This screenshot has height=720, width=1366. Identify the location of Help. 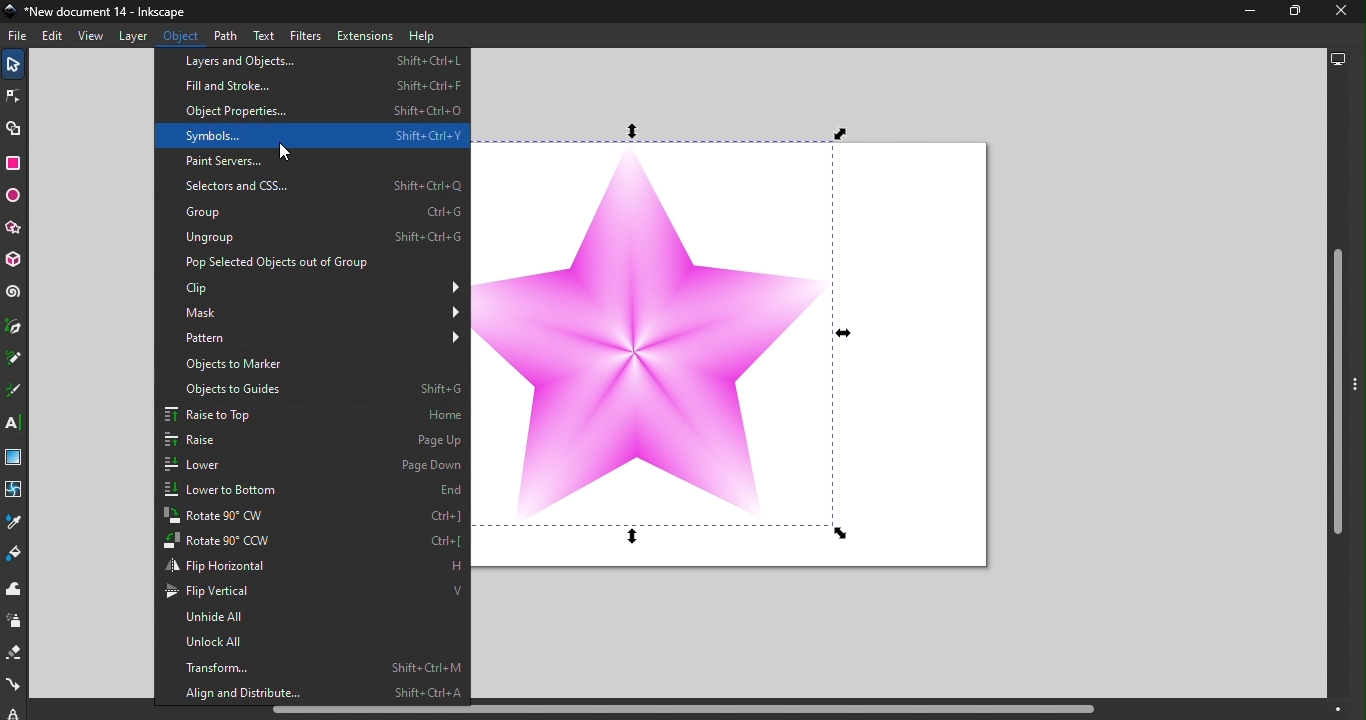
(423, 35).